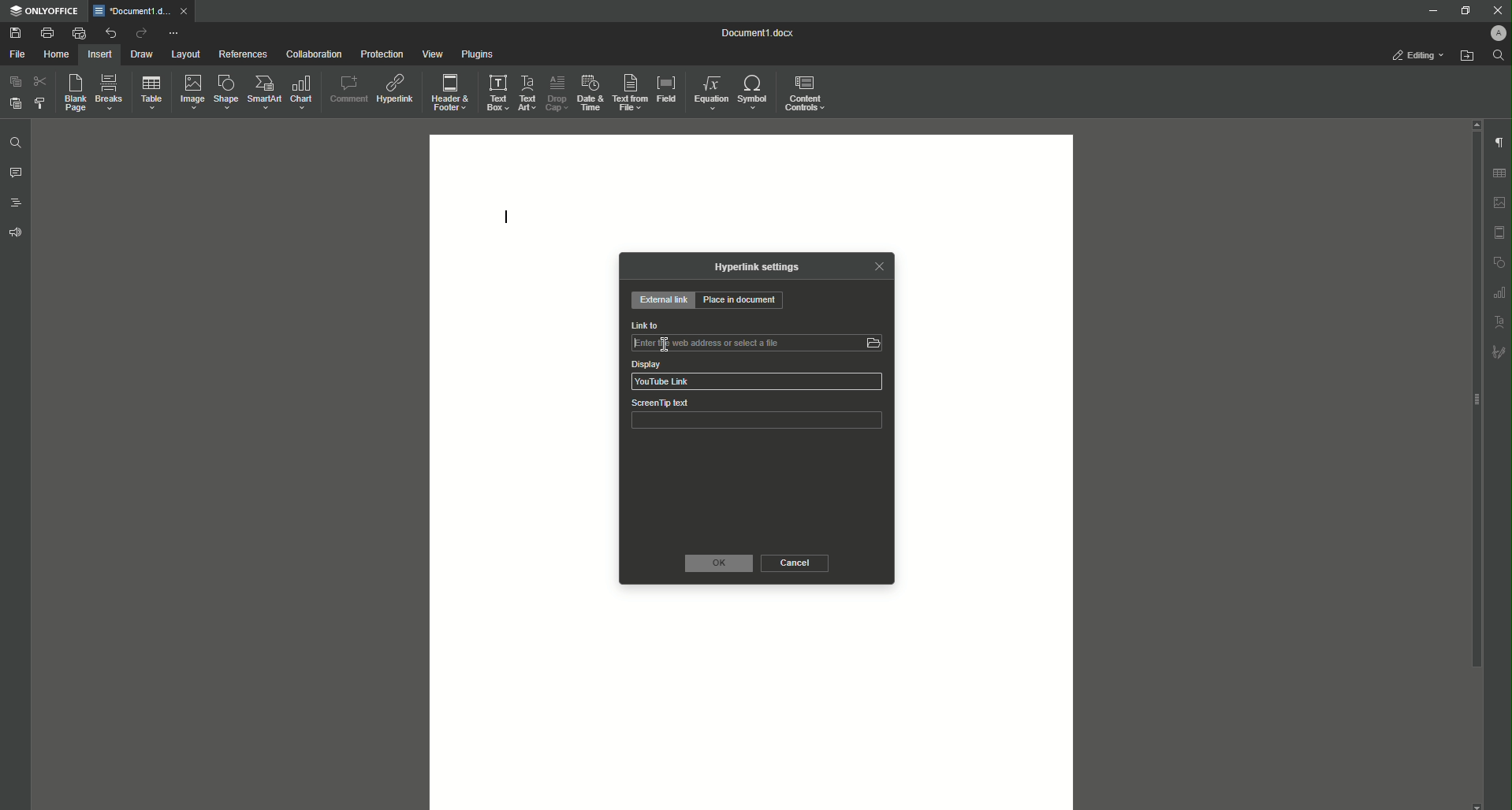  I want to click on SmartArt, so click(266, 92).